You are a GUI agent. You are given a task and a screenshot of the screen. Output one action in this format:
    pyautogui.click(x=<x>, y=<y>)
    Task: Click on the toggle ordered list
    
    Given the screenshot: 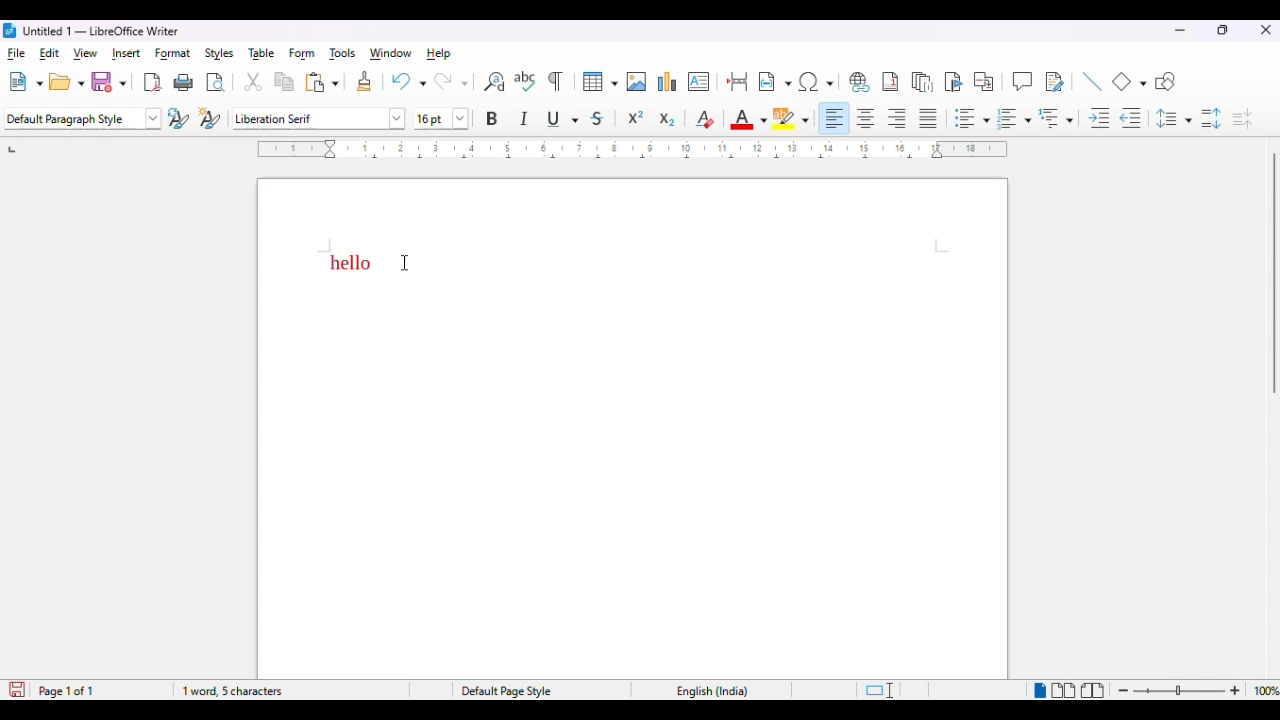 What is the action you would take?
    pyautogui.click(x=1014, y=118)
    